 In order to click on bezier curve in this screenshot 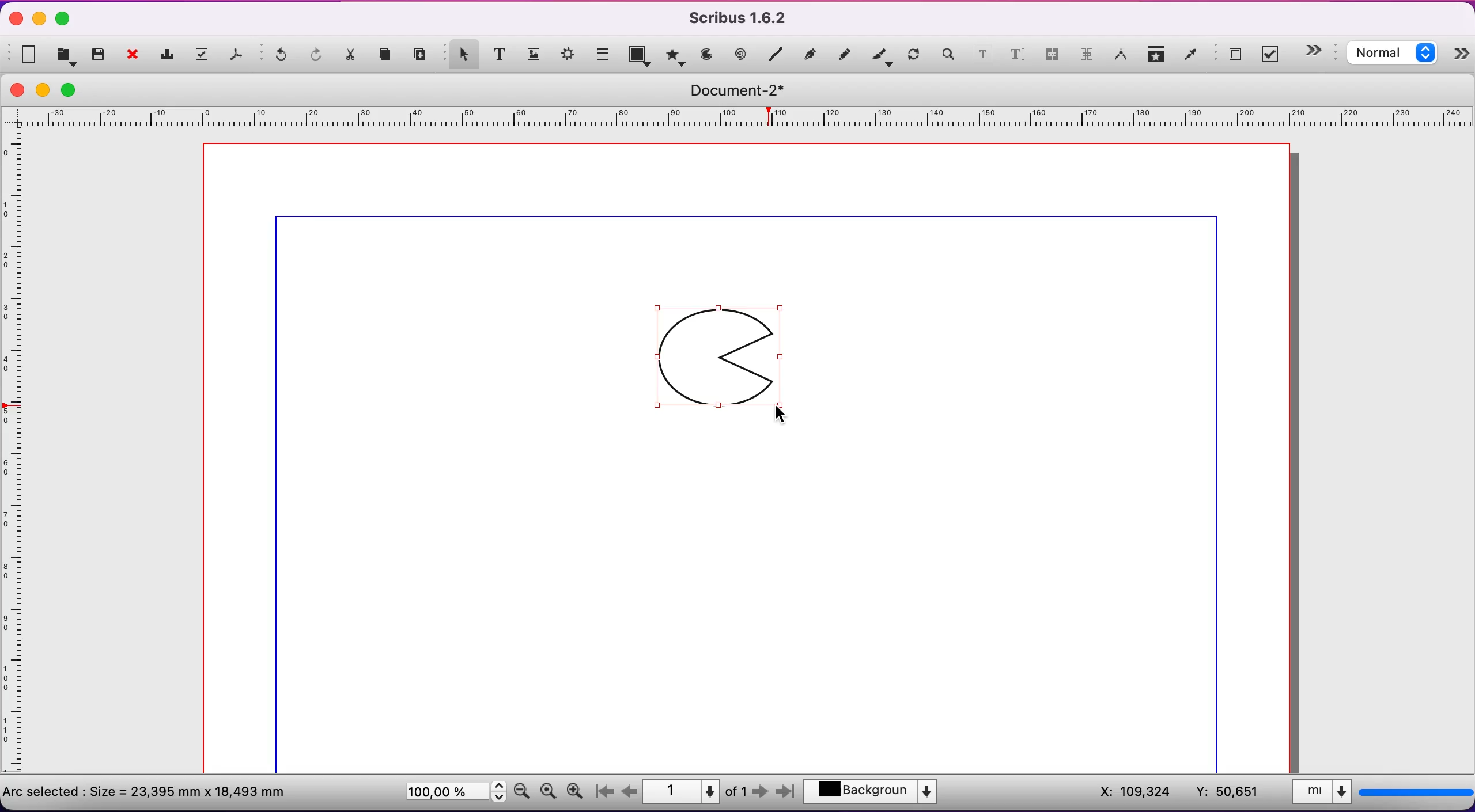, I will do `click(812, 54)`.